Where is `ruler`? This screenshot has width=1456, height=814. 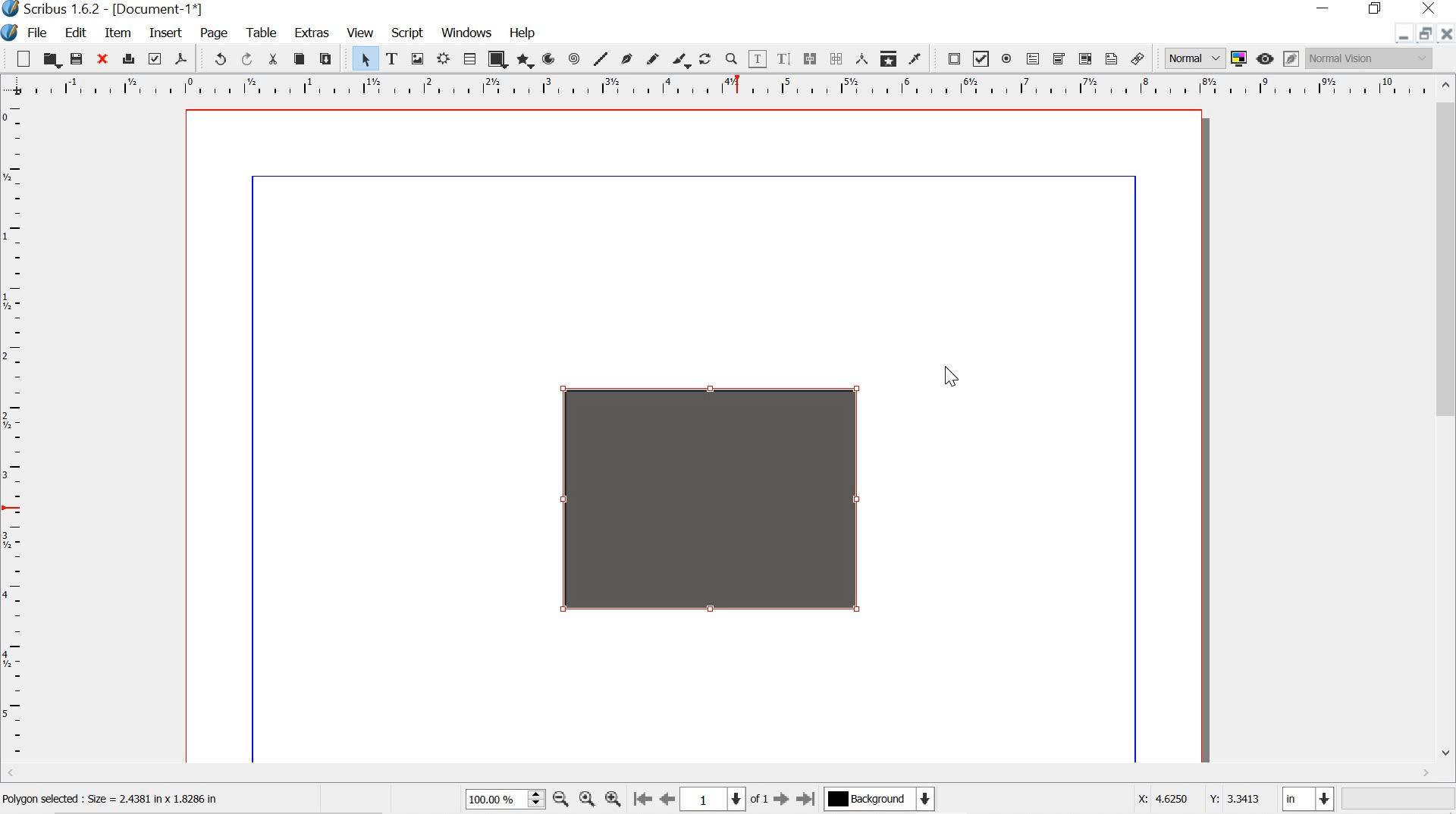
ruler is located at coordinates (715, 86).